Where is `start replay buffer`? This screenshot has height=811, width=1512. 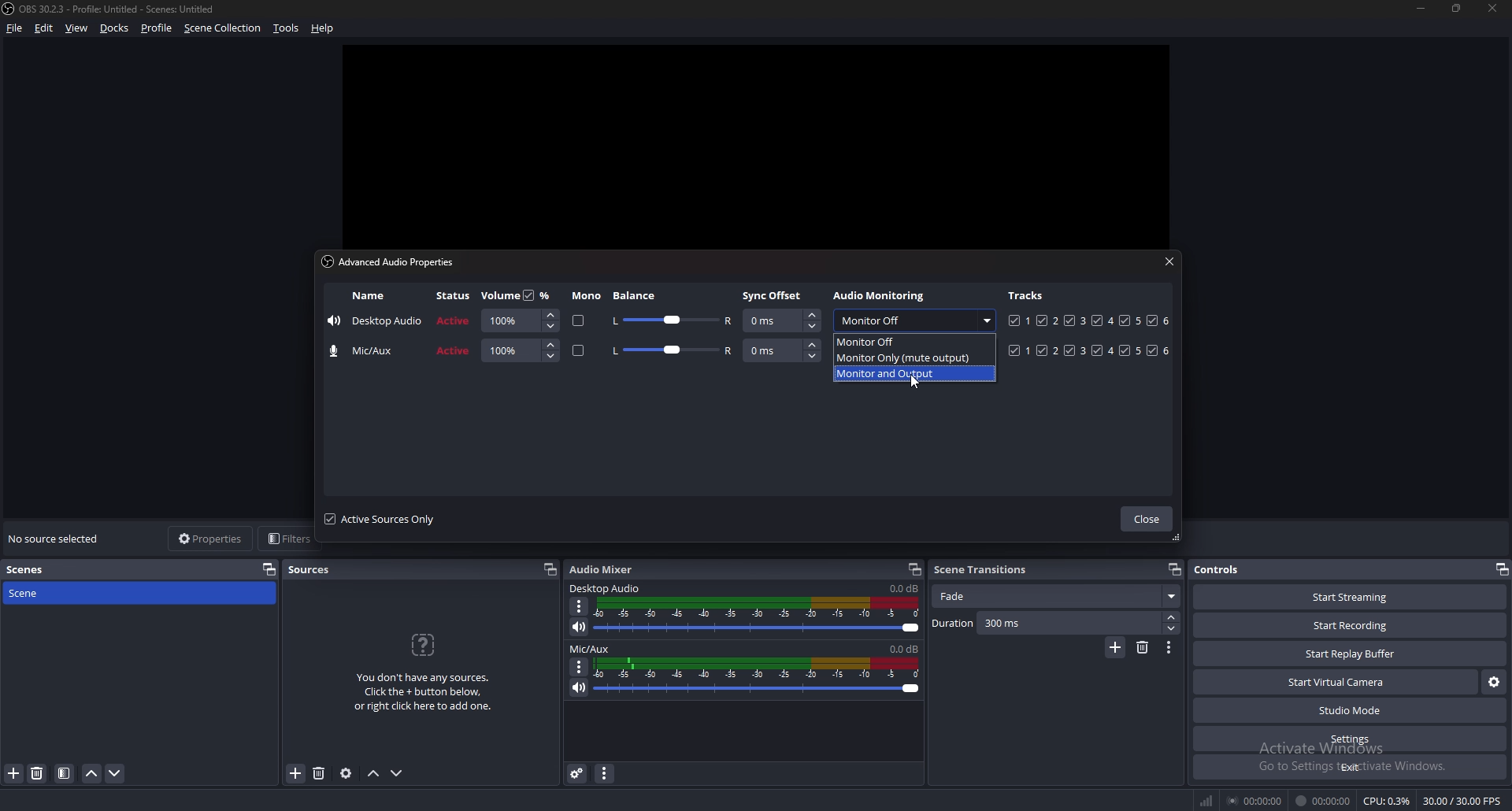 start replay buffer is located at coordinates (1351, 654).